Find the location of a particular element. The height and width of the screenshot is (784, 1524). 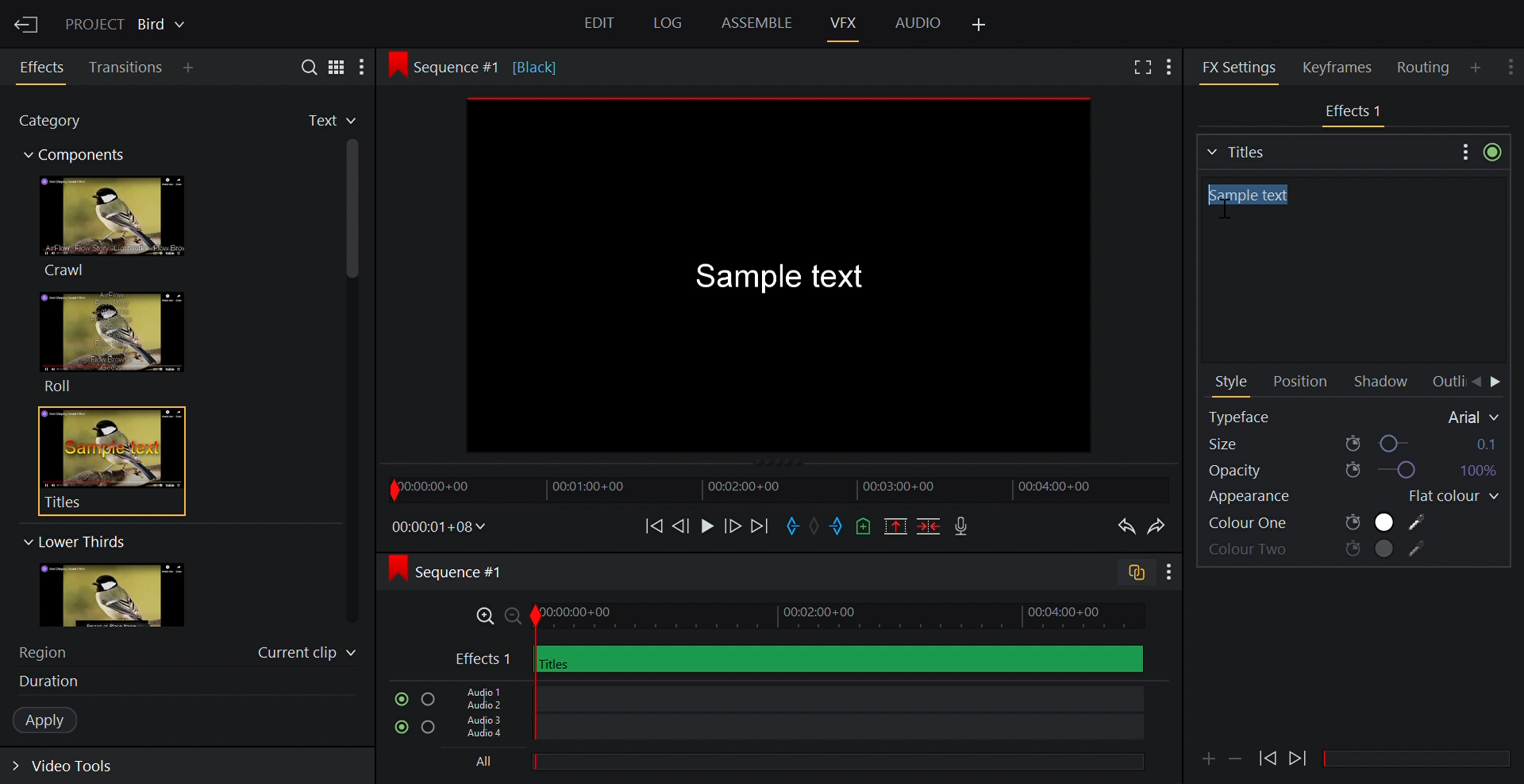

Add a cue is located at coordinates (864, 528).